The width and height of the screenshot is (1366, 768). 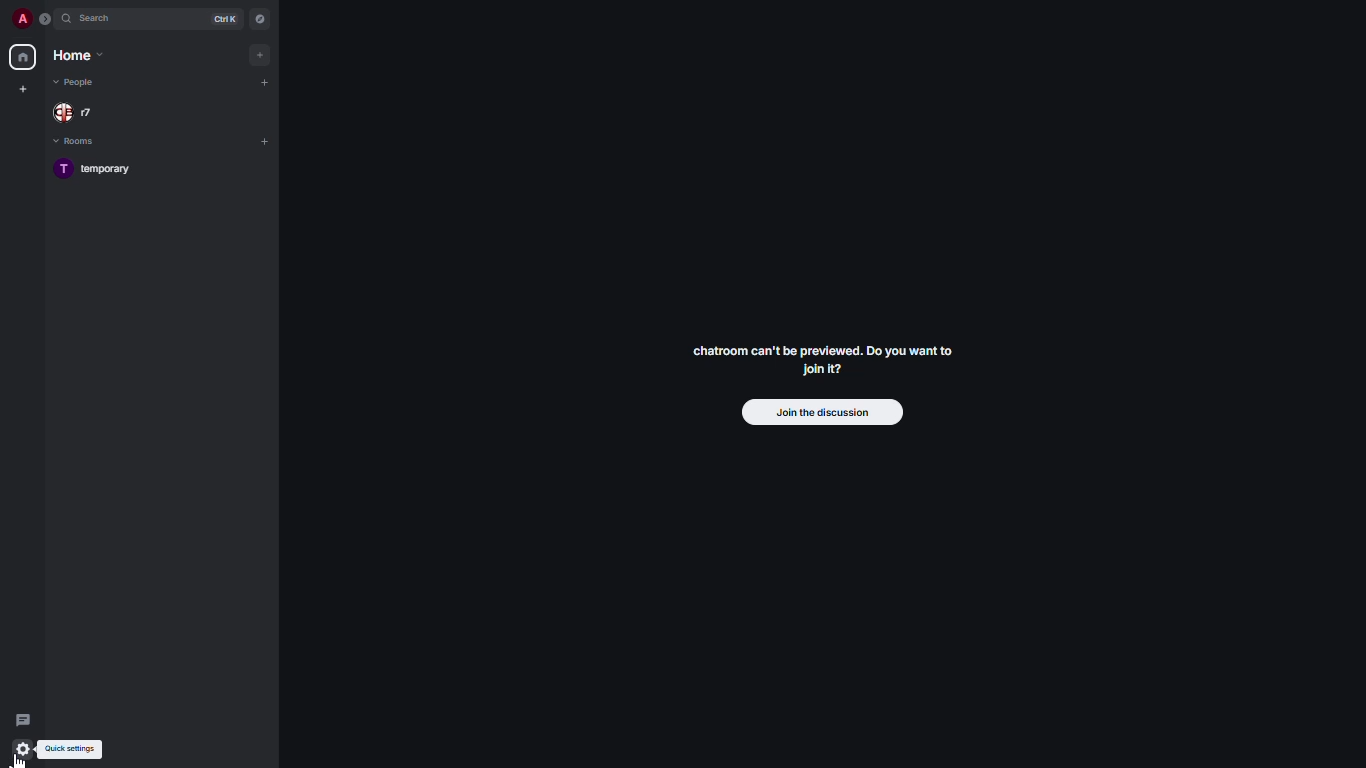 What do you see at coordinates (100, 170) in the screenshot?
I see `room` at bounding box center [100, 170].